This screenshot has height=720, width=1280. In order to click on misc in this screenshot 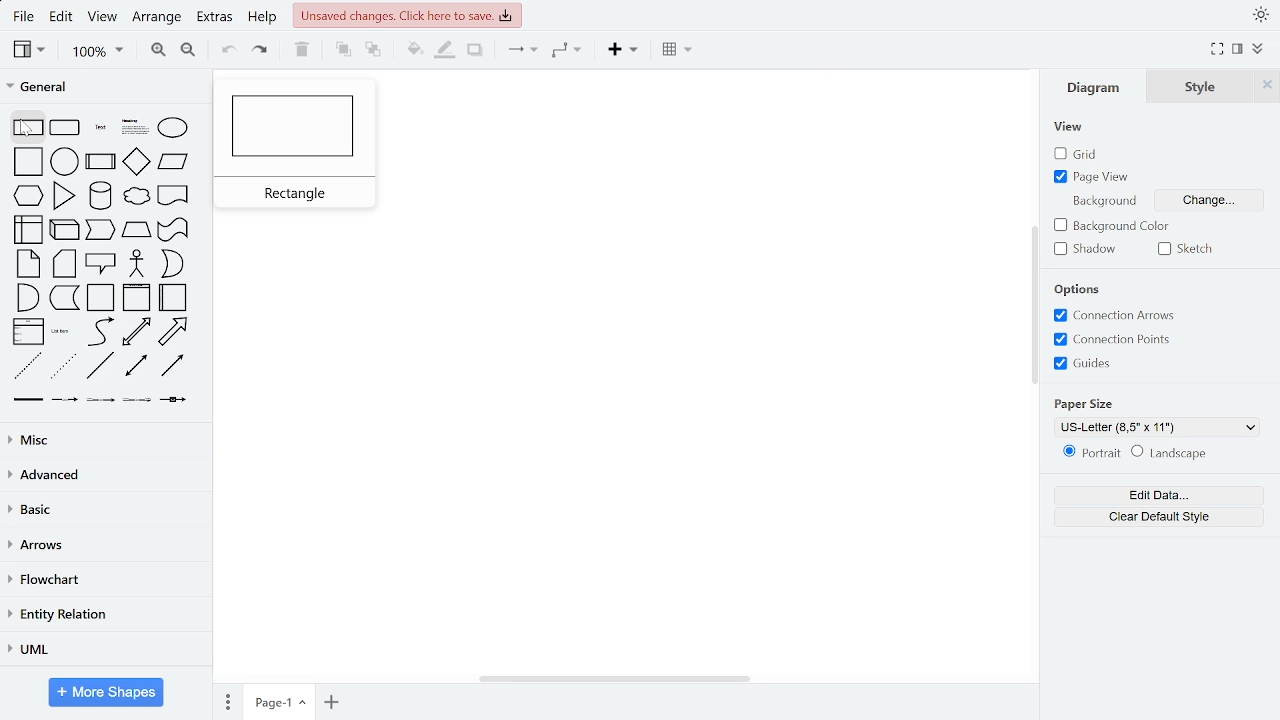, I will do `click(102, 439)`.